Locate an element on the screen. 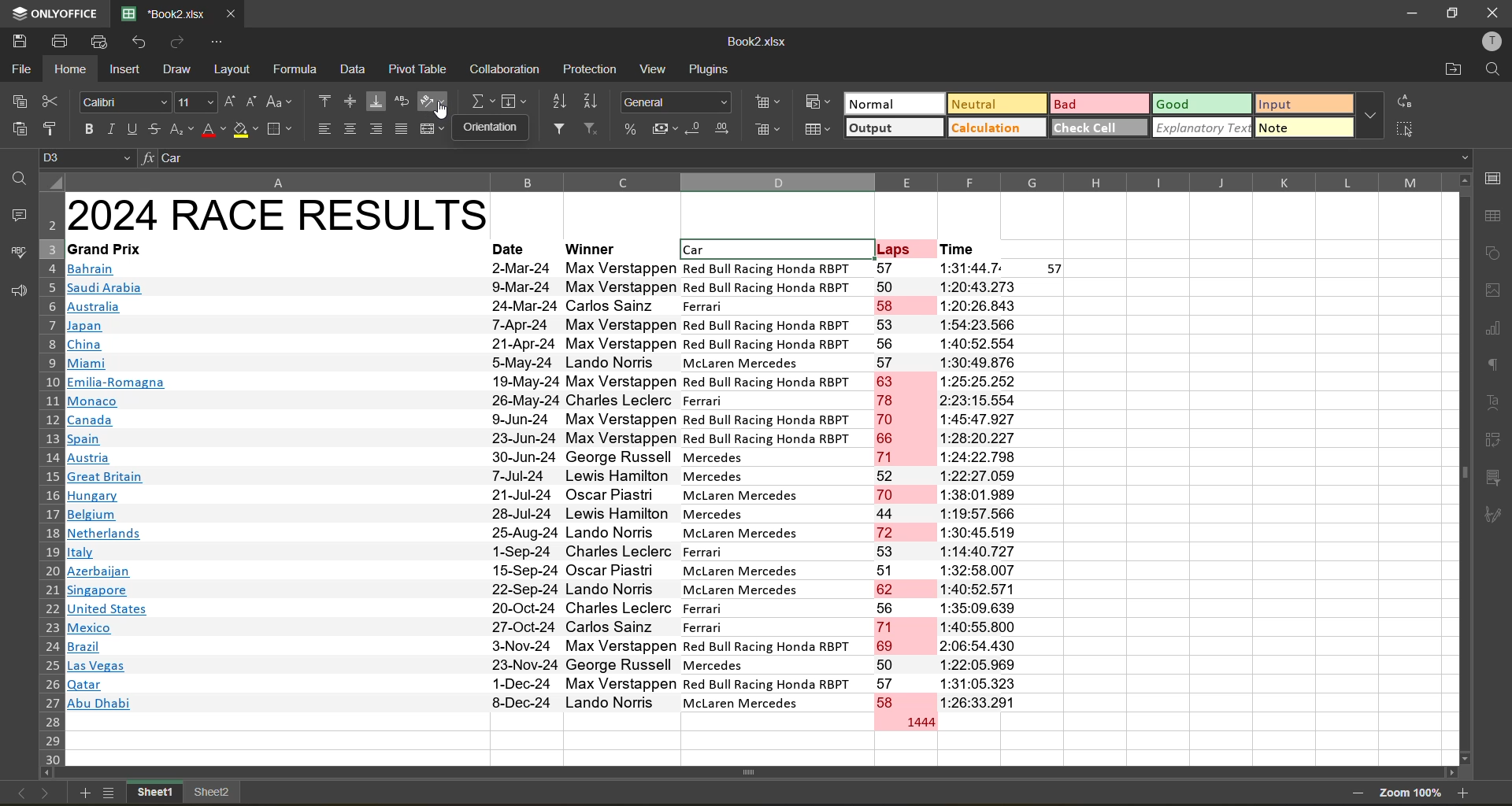 Image resolution: width=1512 pixels, height=806 pixels. copy style is located at coordinates (52, 128).